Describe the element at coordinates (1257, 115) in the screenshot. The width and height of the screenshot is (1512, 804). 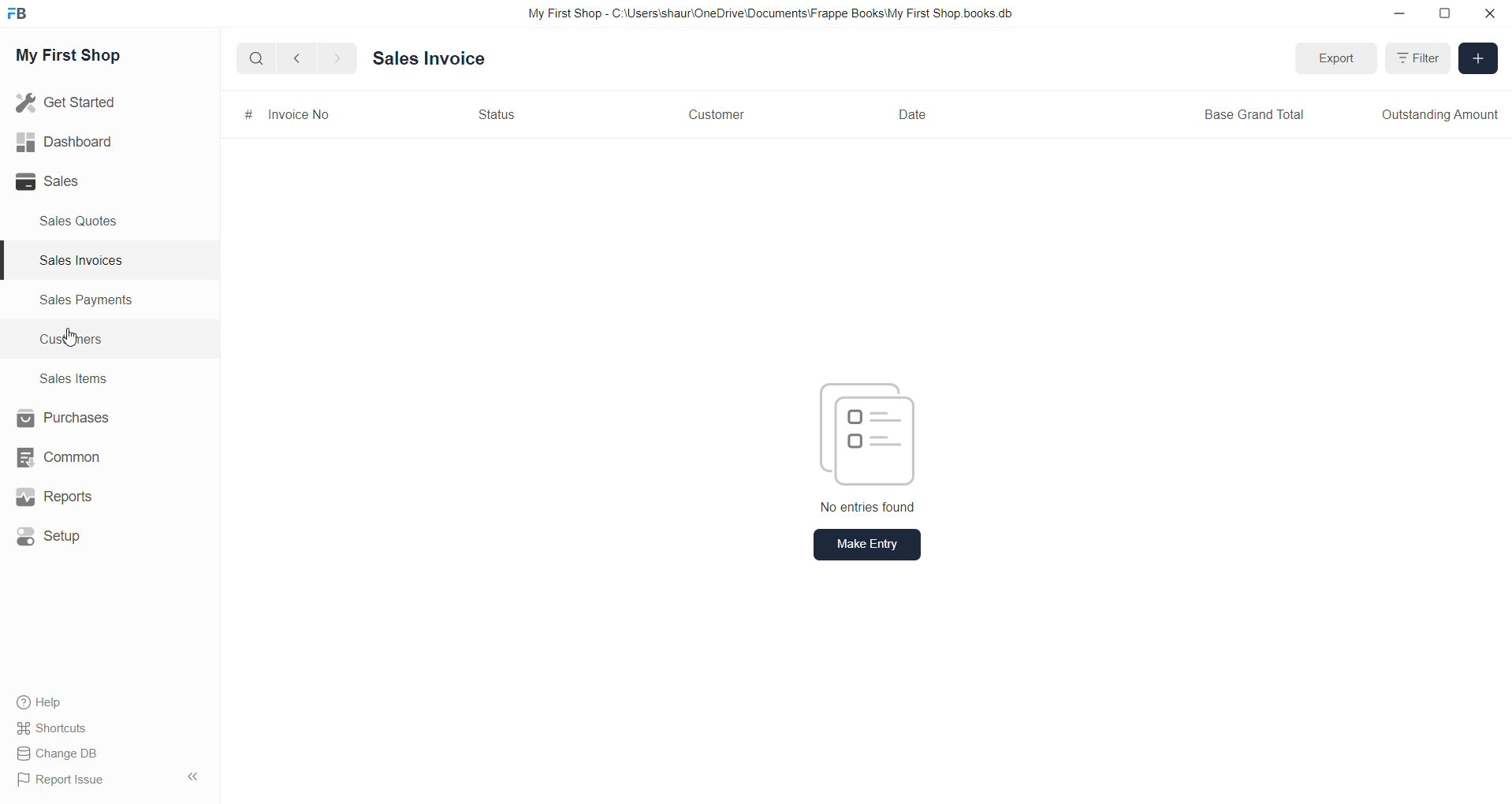
I see `Base Grand Total` at that location.